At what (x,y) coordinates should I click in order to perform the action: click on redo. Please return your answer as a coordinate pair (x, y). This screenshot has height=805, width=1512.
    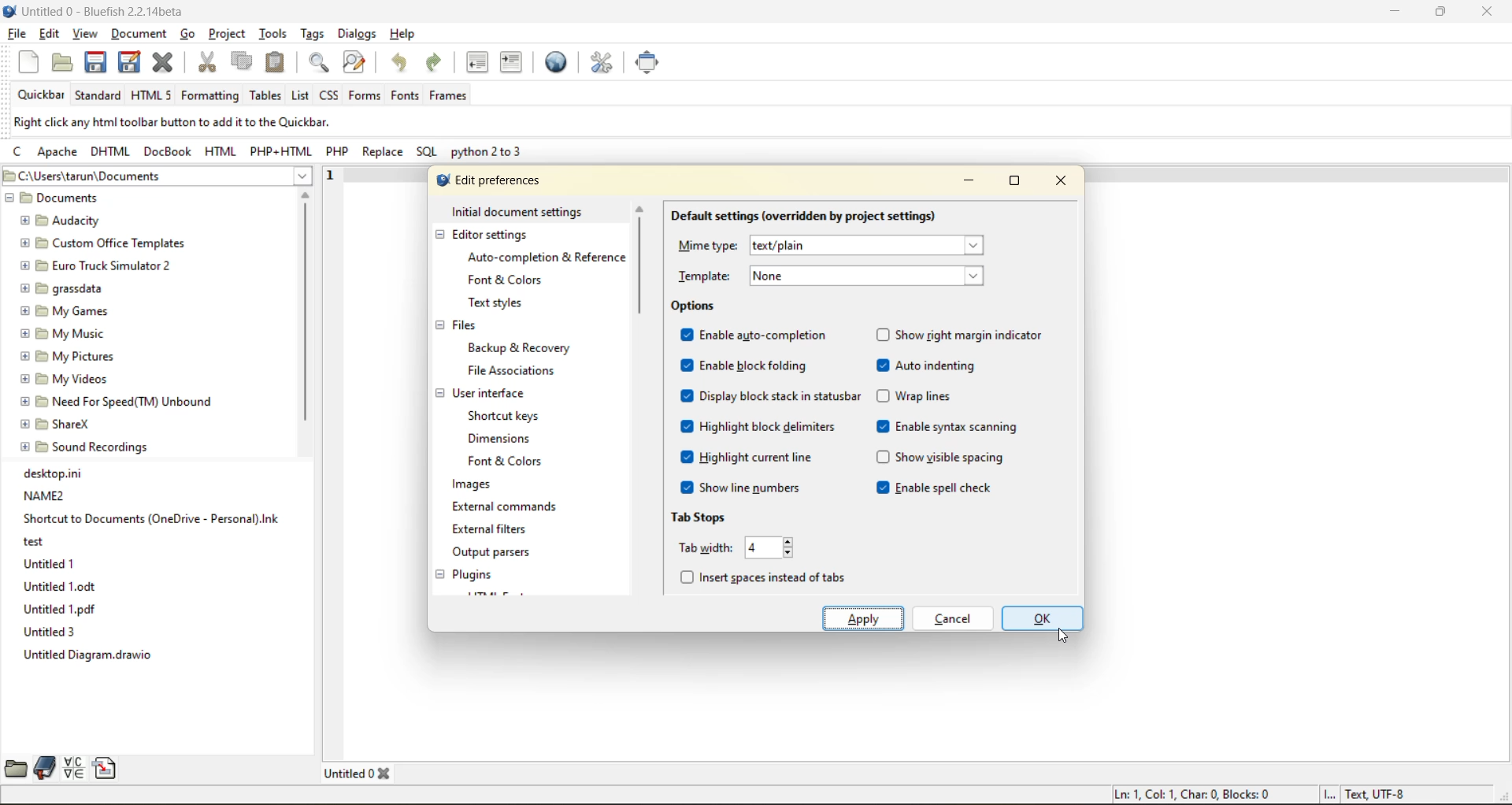
    Looking at the image, I should click on (438, 64).